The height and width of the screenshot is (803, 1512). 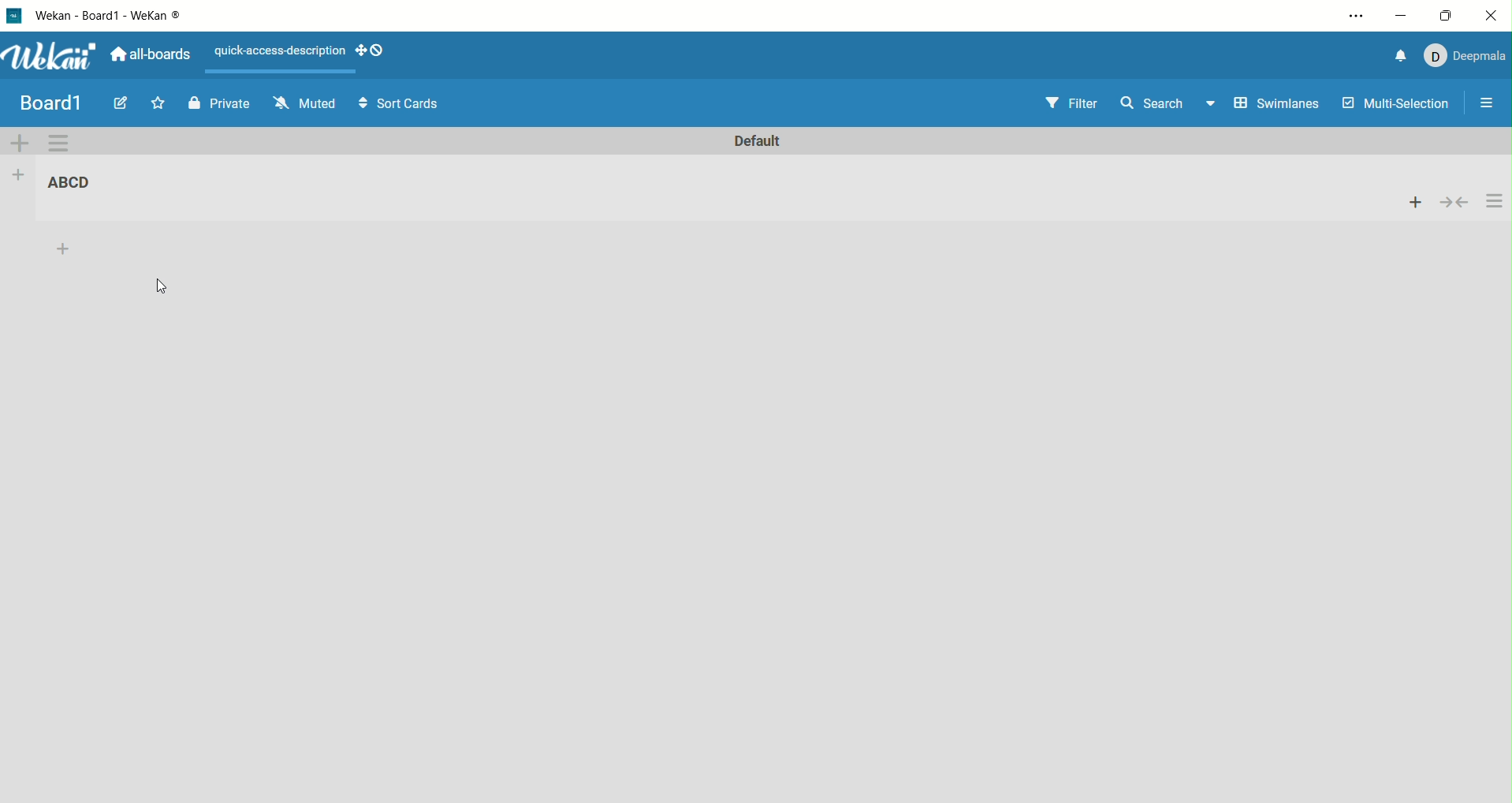 I want to click on actions, so click(x=1495, y=200).